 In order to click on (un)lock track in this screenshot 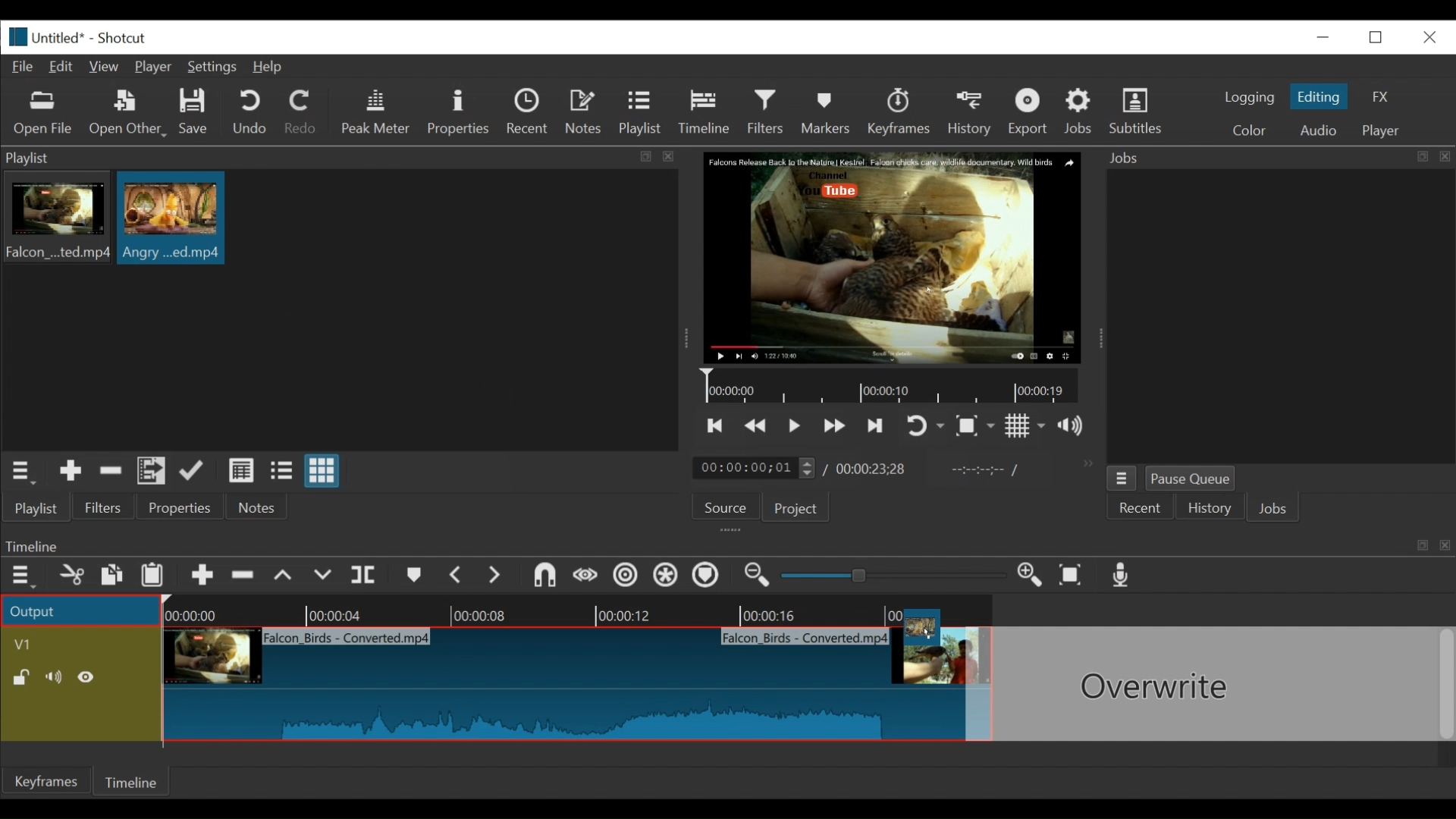, I will do `click(21, 677)`.